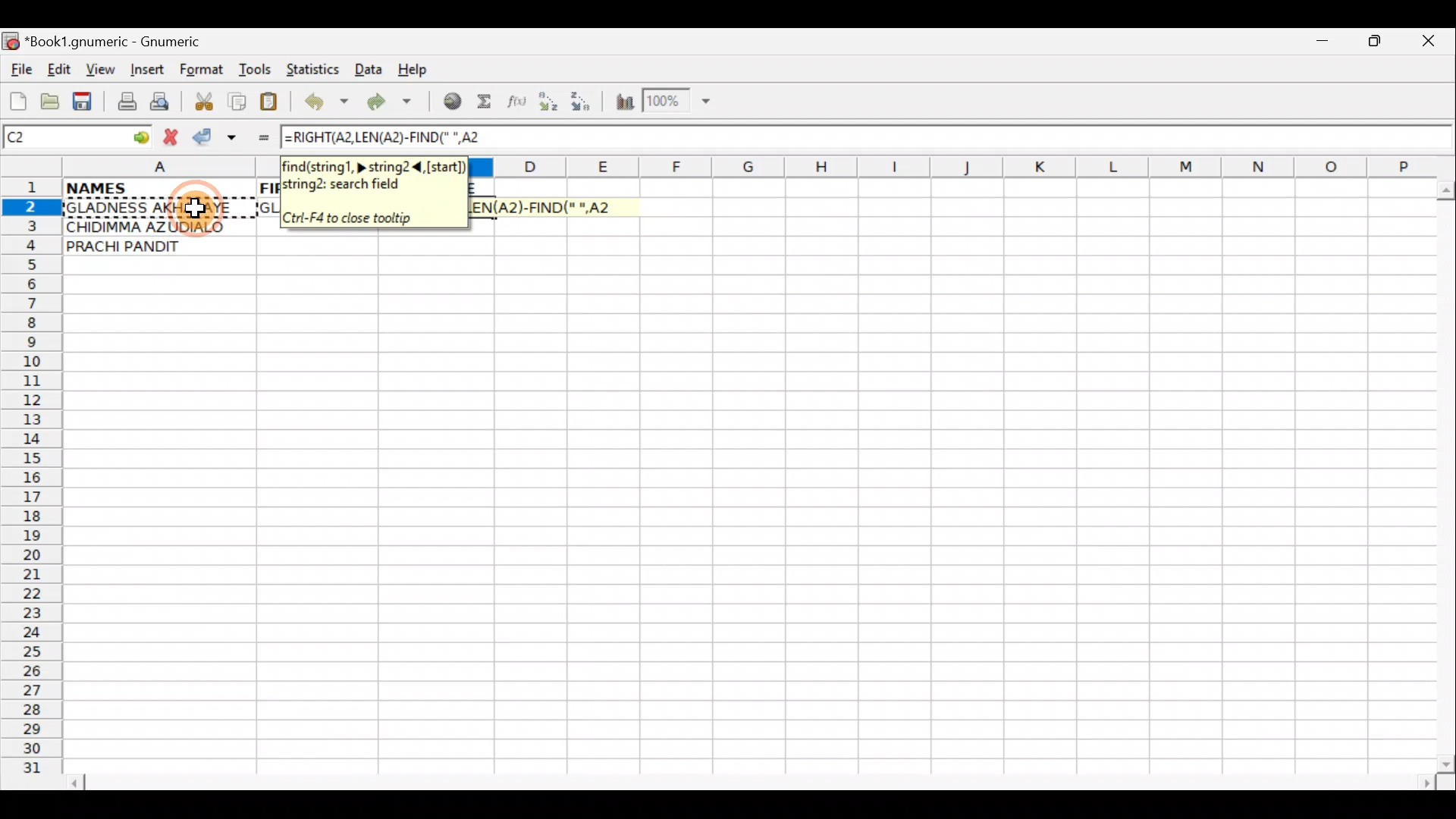 This screenshot has width=1456, height=819. I want to click on Statistics, so click(317, 68).